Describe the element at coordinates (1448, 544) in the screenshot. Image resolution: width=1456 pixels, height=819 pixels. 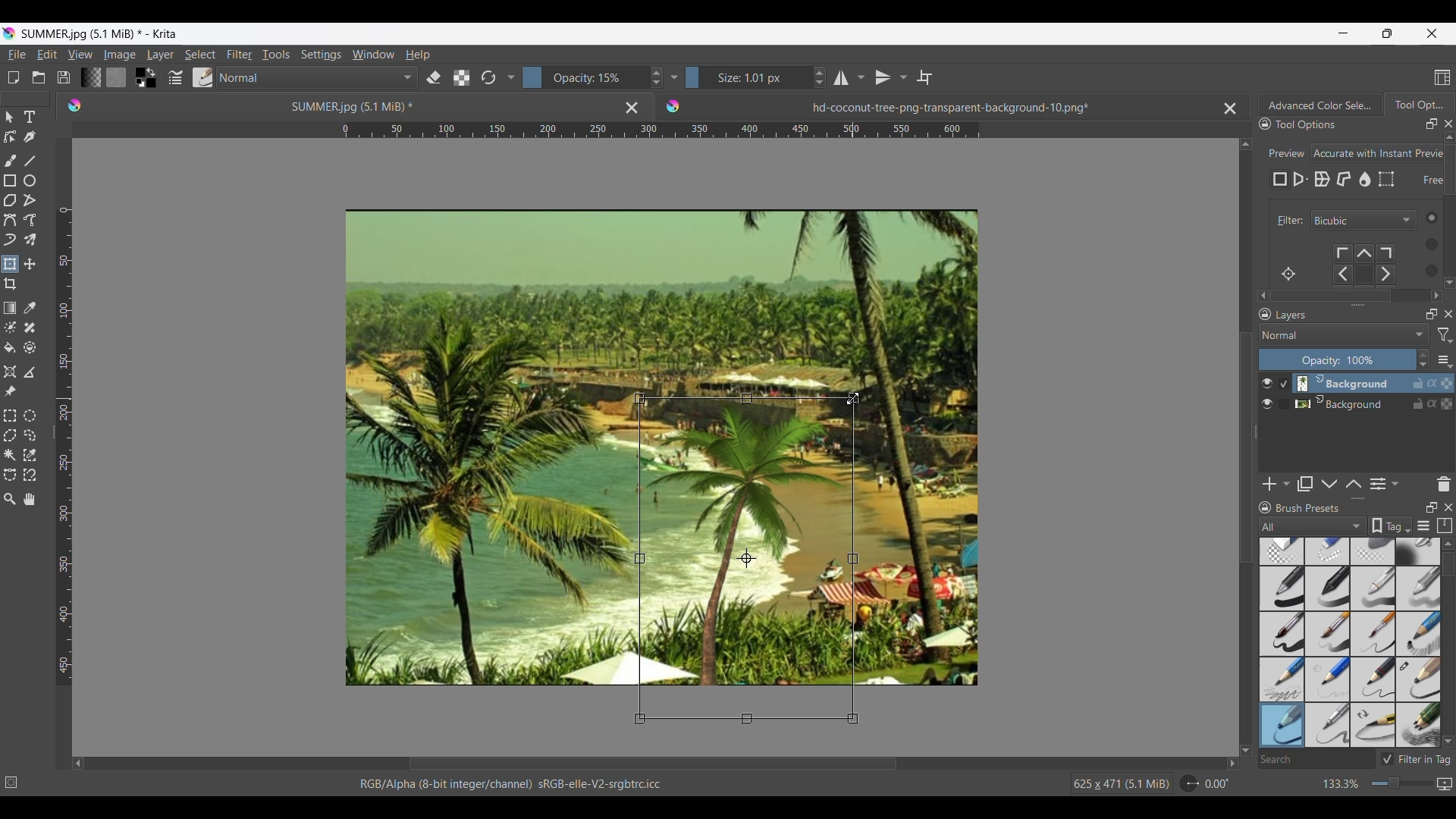
I see `Quick slide to top` at that location.